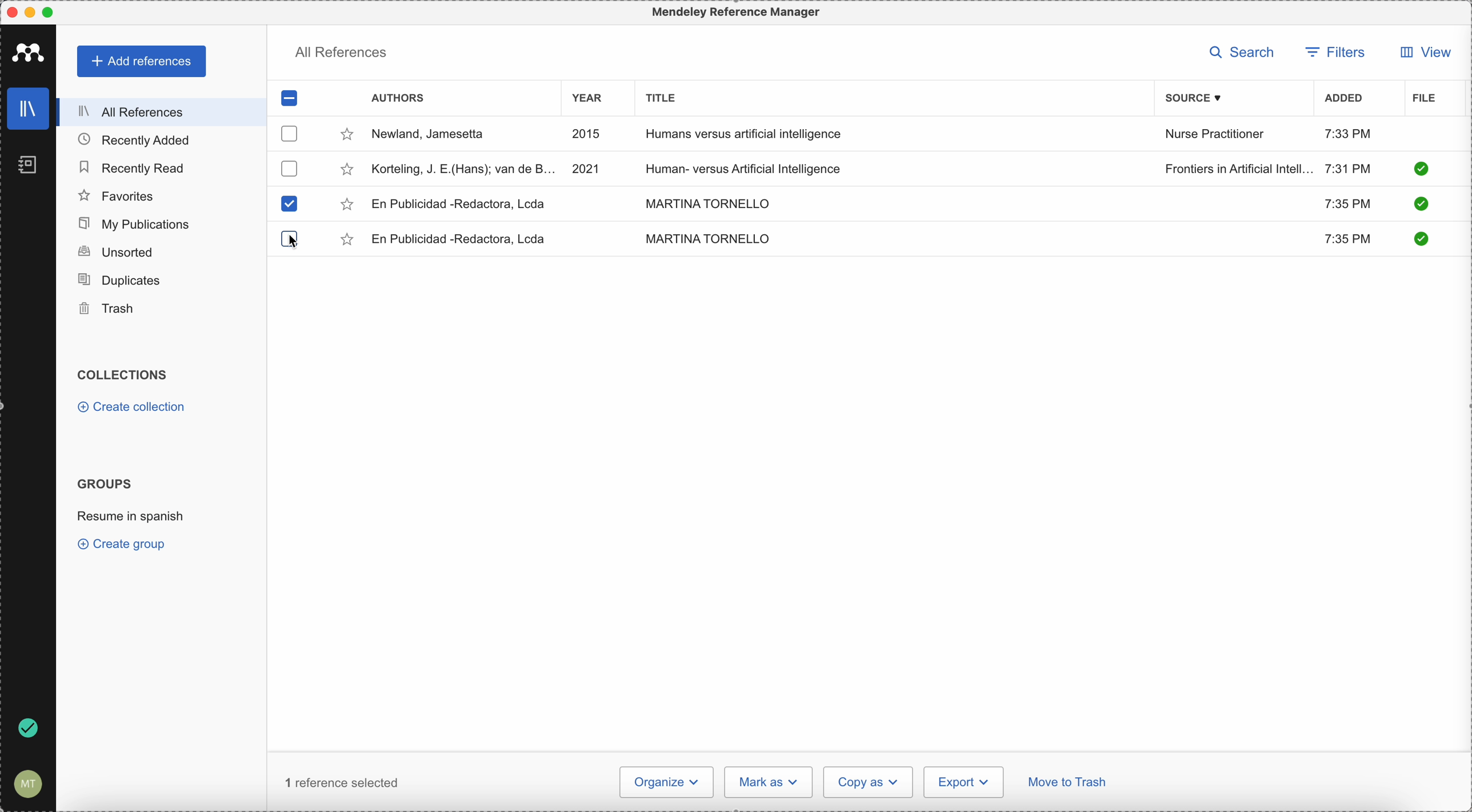  What do you see at coordinates (26, 785) in the screenshot?
I see `account settings` at bounding box center [26, 785].